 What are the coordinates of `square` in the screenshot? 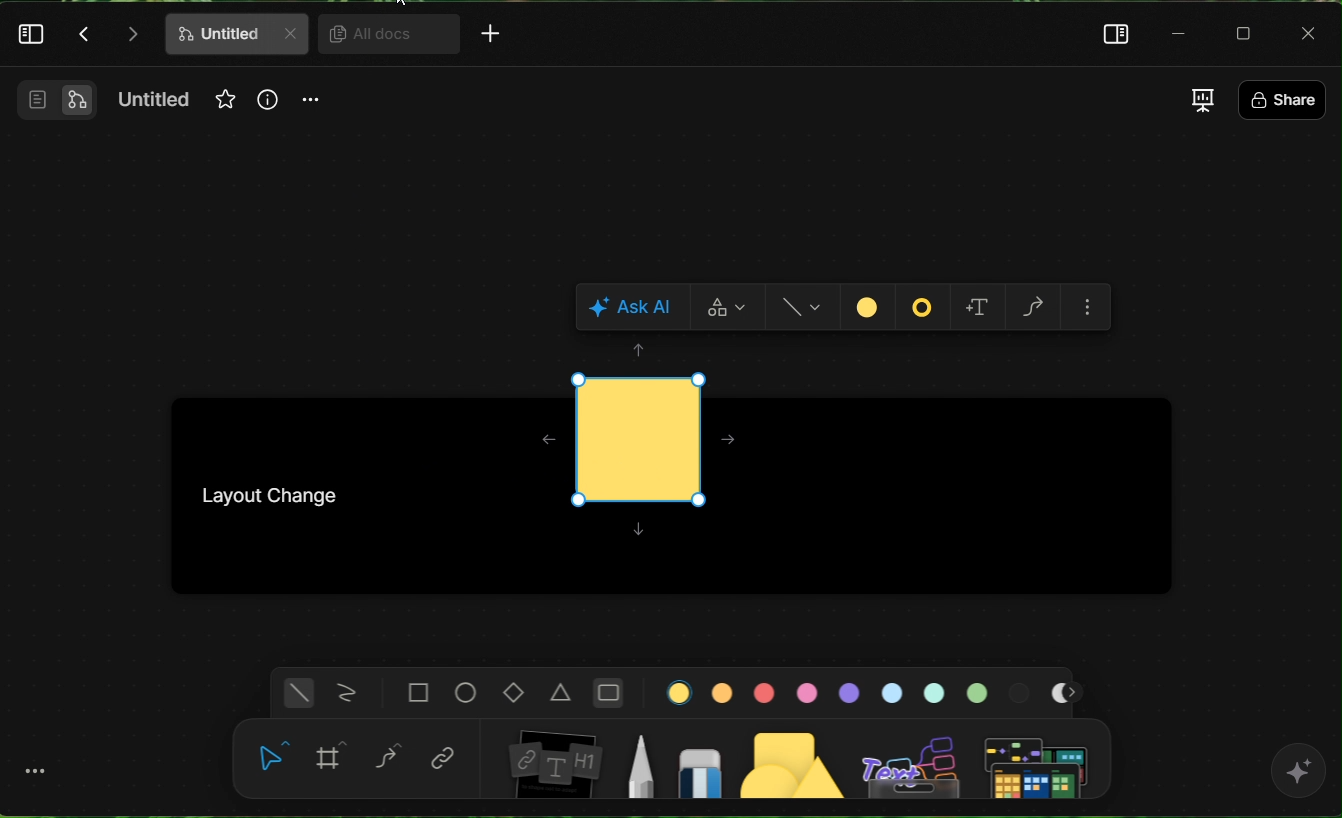 It's located at (417, 692).